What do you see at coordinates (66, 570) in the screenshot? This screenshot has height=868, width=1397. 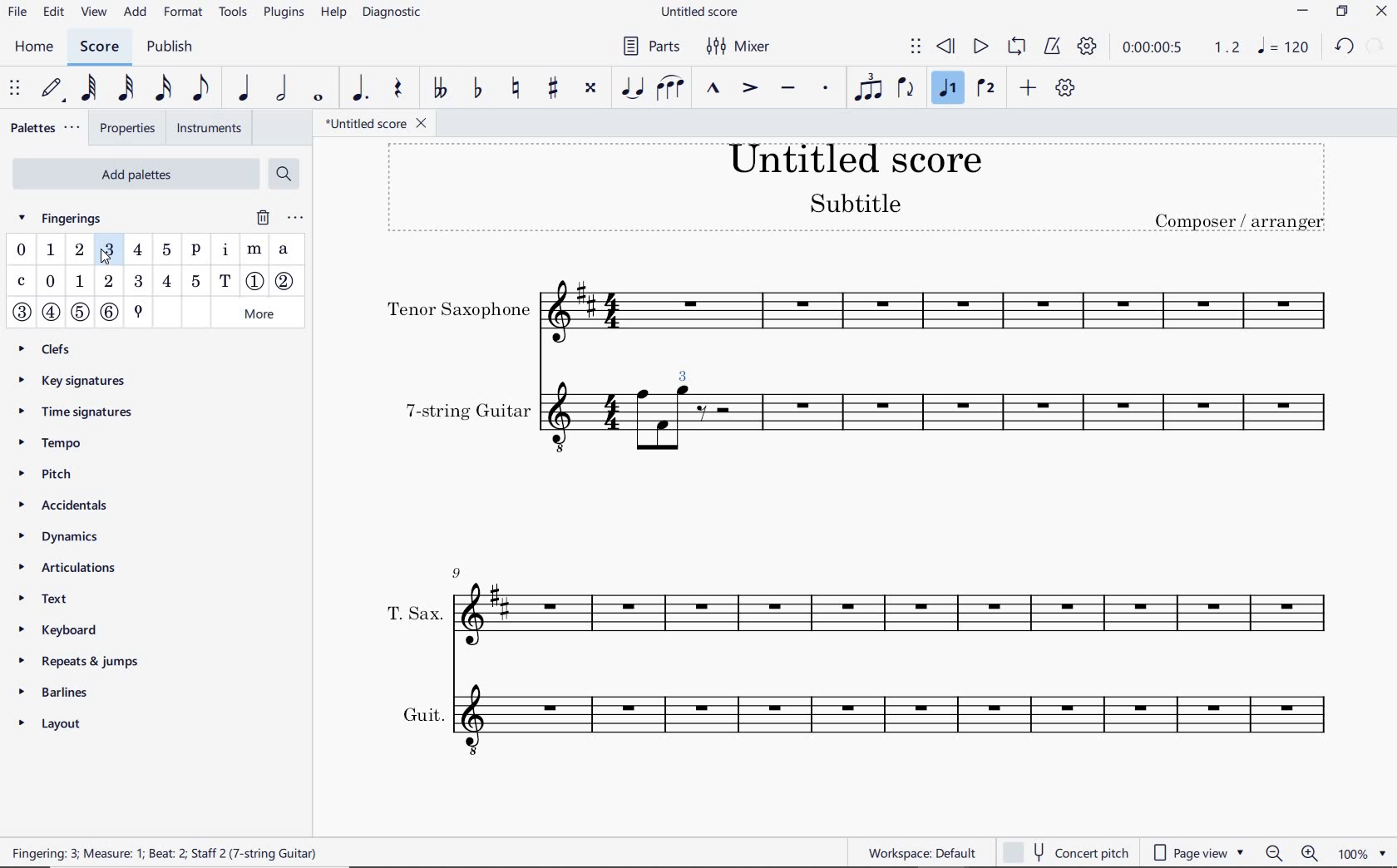 I see `ARTICULATIONS` at bounding box center [66, 570].